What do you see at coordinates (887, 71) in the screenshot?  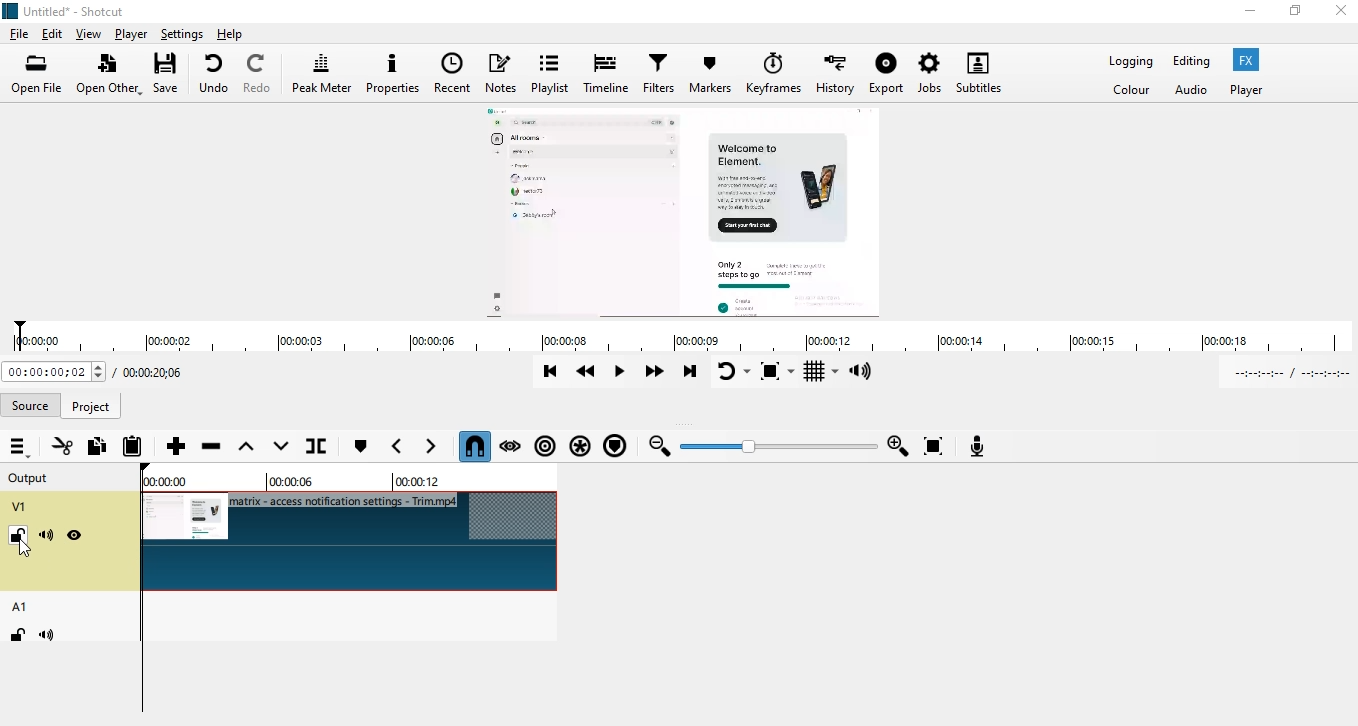 I see `export` at bounding box center [887, 71].